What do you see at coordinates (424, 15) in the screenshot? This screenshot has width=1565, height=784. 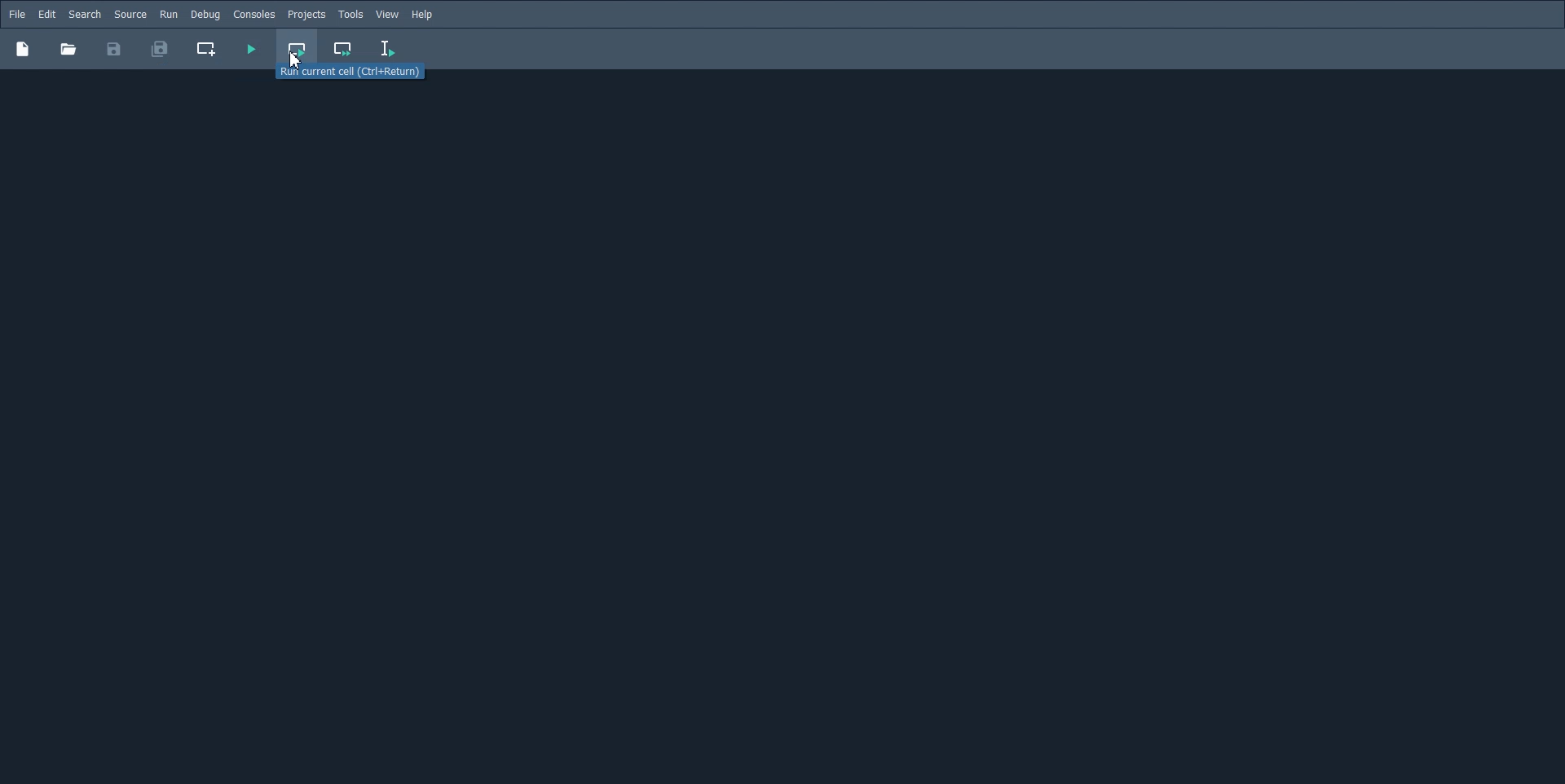 I see `Help` at bounding box center [424, 15].